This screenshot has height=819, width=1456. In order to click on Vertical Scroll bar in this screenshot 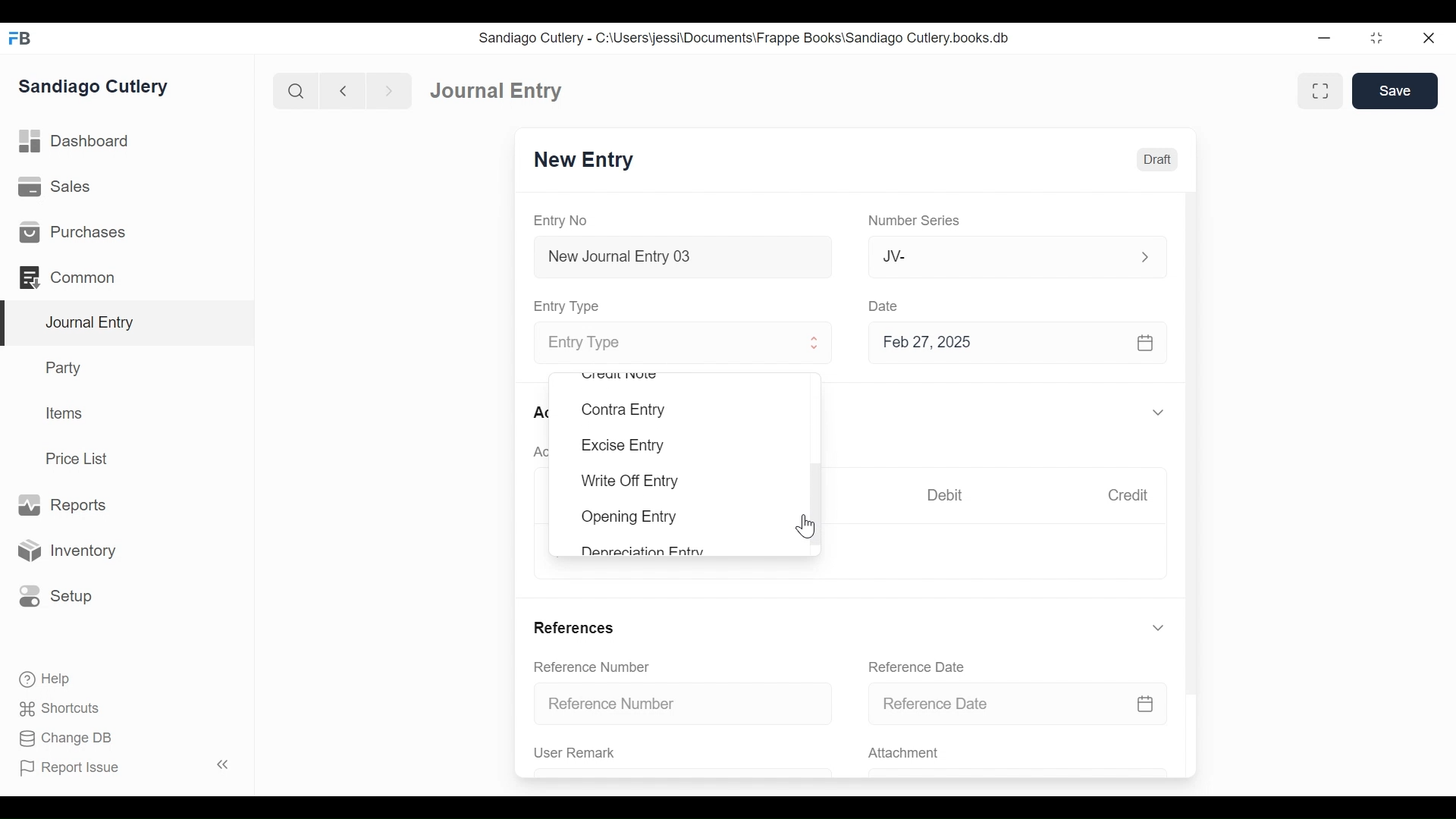, I will do `click(1194, 431)`.